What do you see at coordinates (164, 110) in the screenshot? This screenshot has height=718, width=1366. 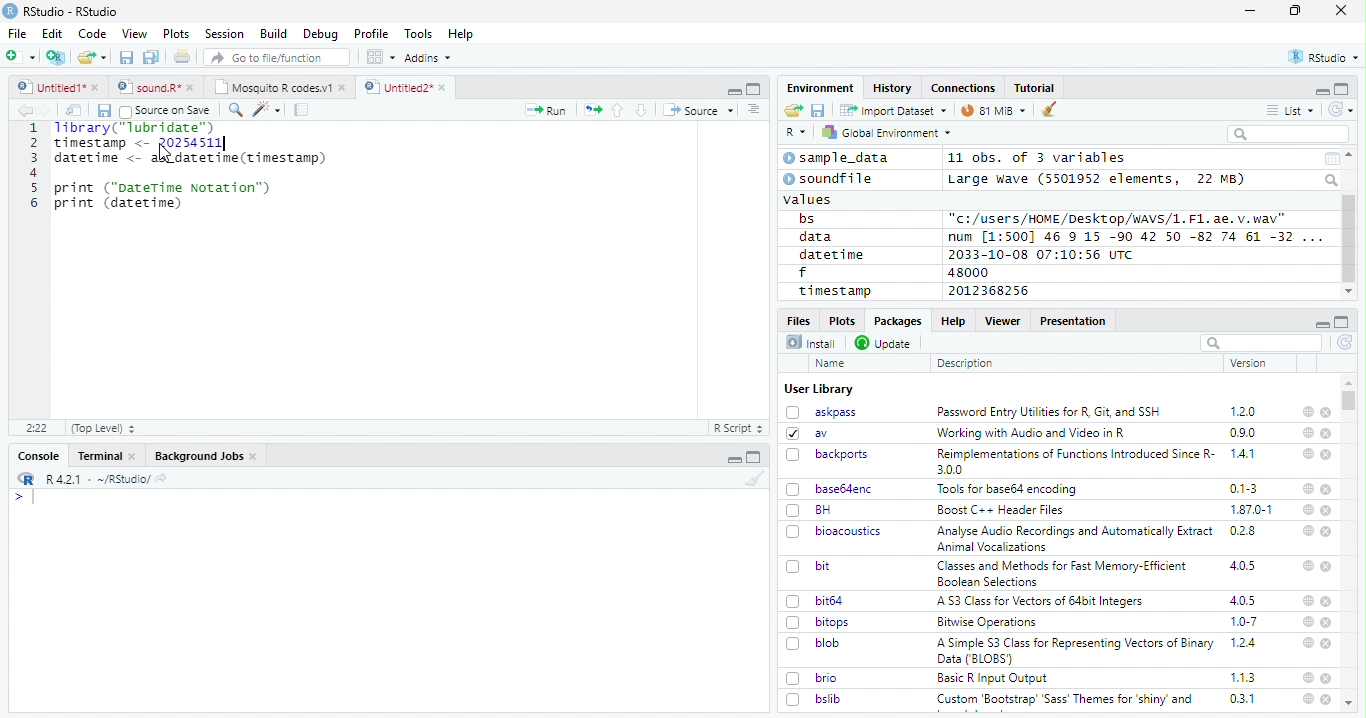 I see `Source on Save` at bounding box center [164, 110].